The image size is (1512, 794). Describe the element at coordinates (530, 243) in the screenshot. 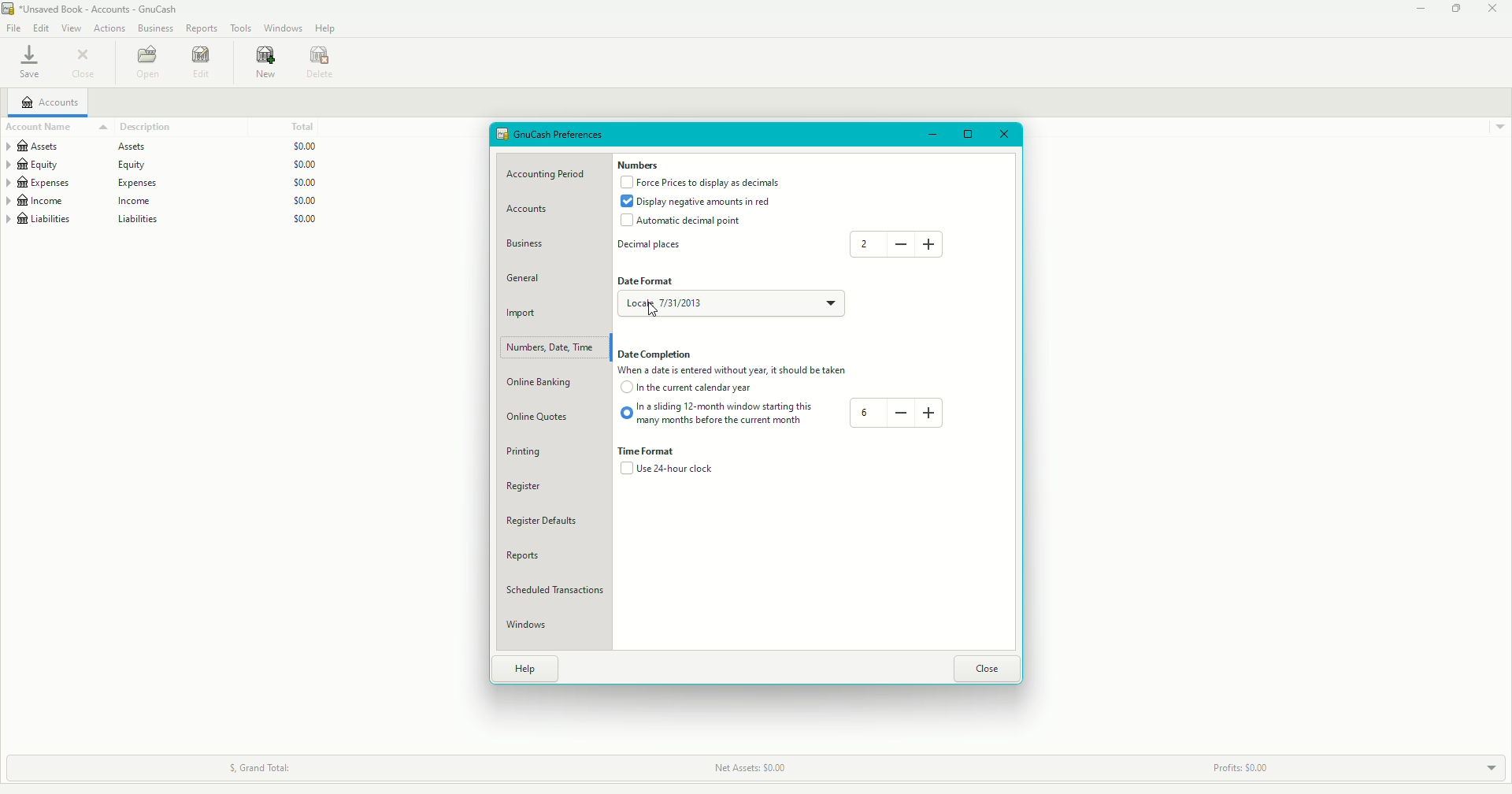

I see `Business` at that location.